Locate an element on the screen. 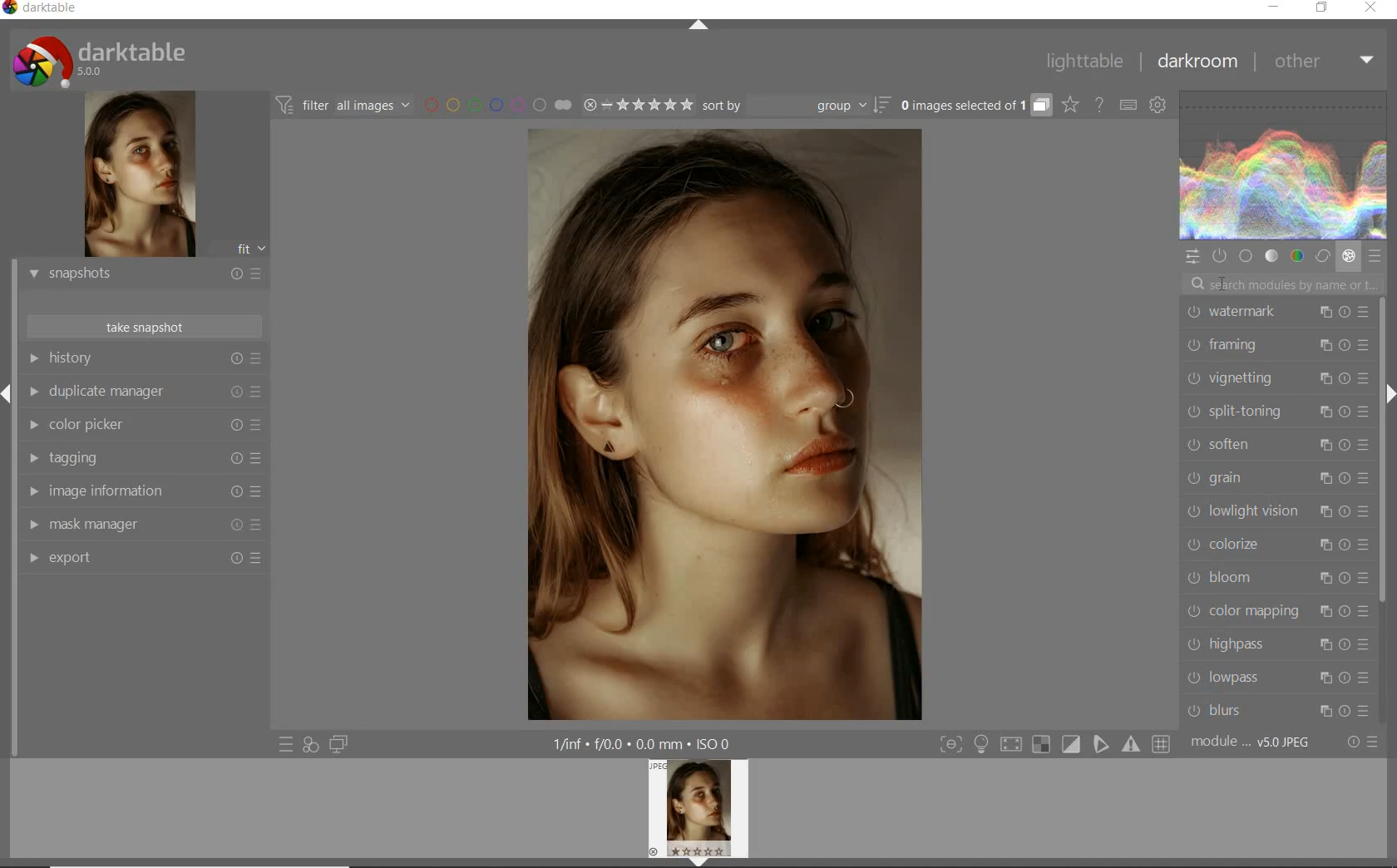 The image size is (1397, 868). expand grouped images is located at coordinates (974, 106).